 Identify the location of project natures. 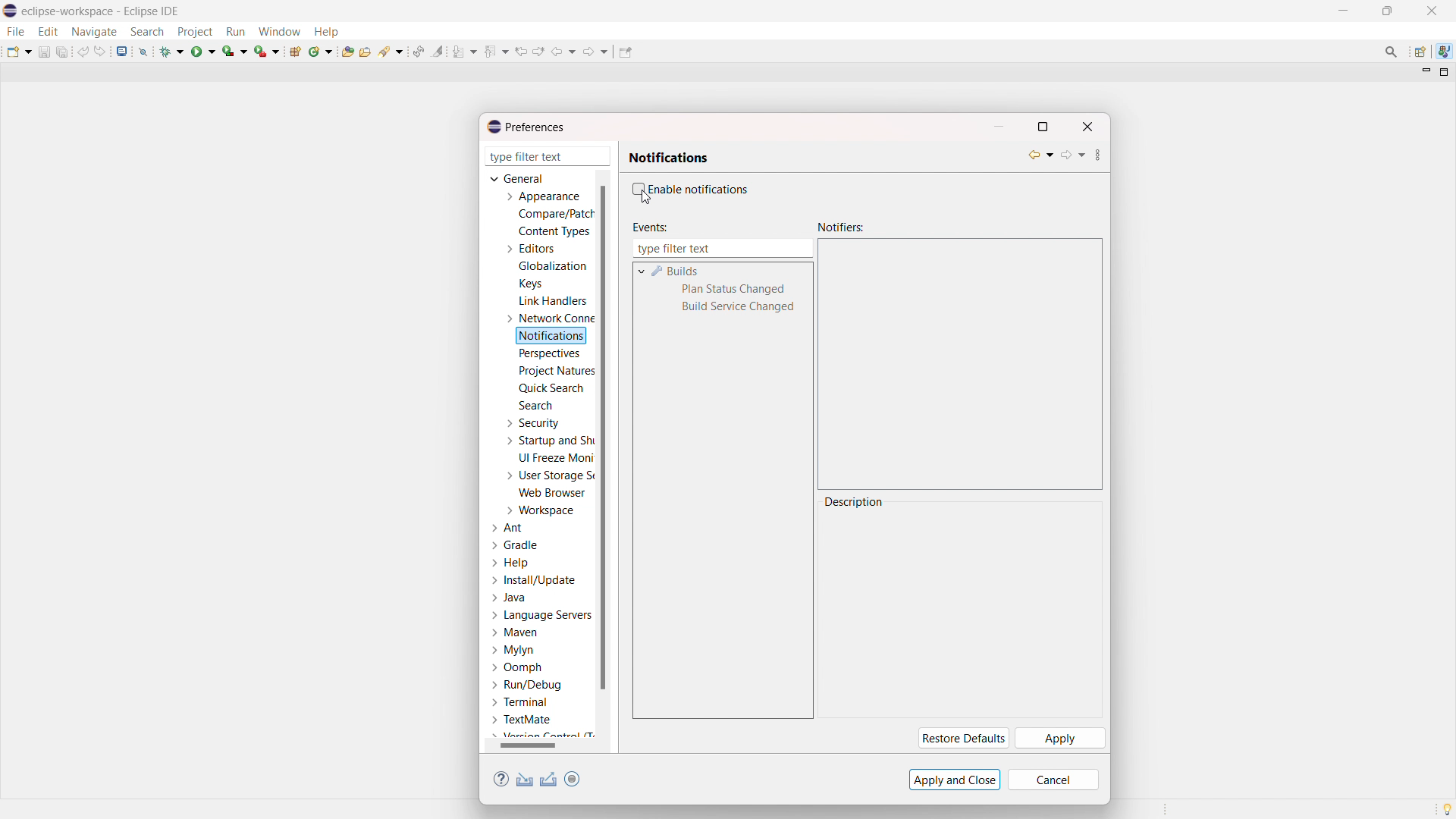
(555, 370).